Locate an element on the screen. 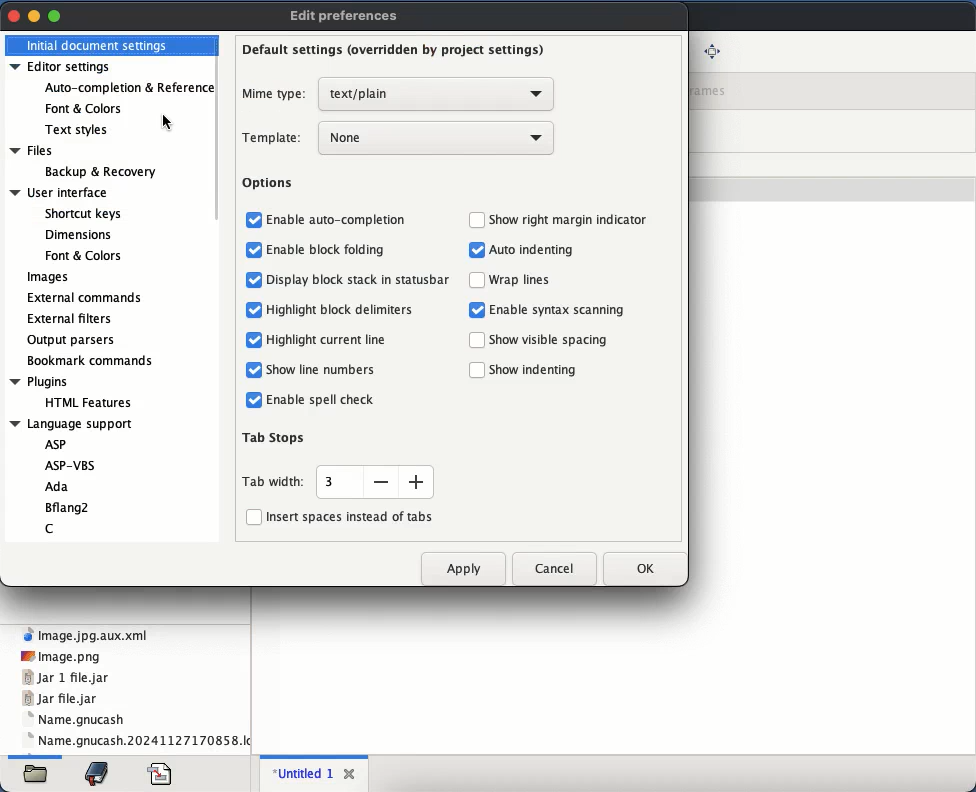  editor settings is located at coordinates (62, 68).